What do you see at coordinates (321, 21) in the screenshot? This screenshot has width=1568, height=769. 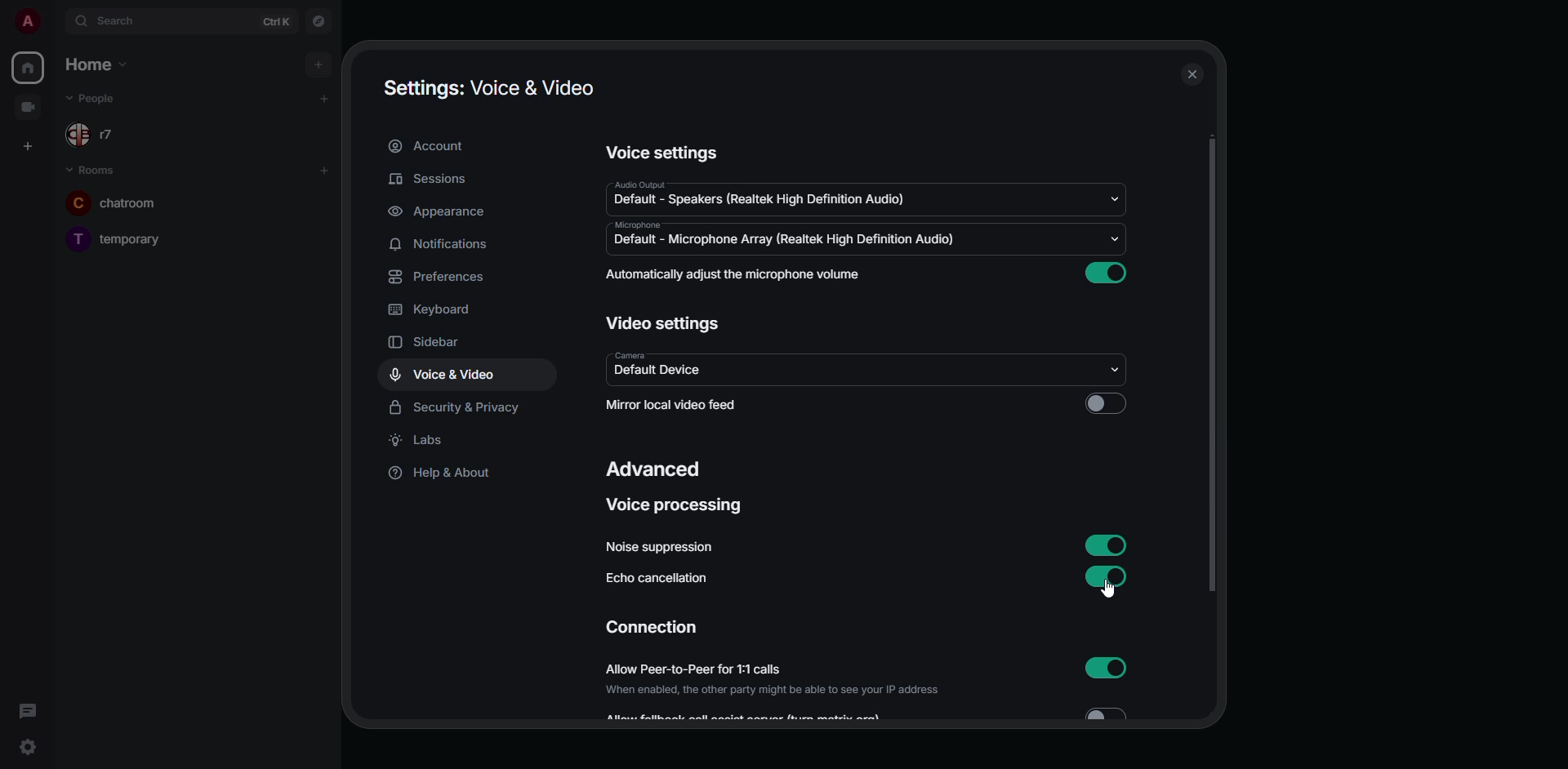 I see `navigator` at bounding box center [321, 21].